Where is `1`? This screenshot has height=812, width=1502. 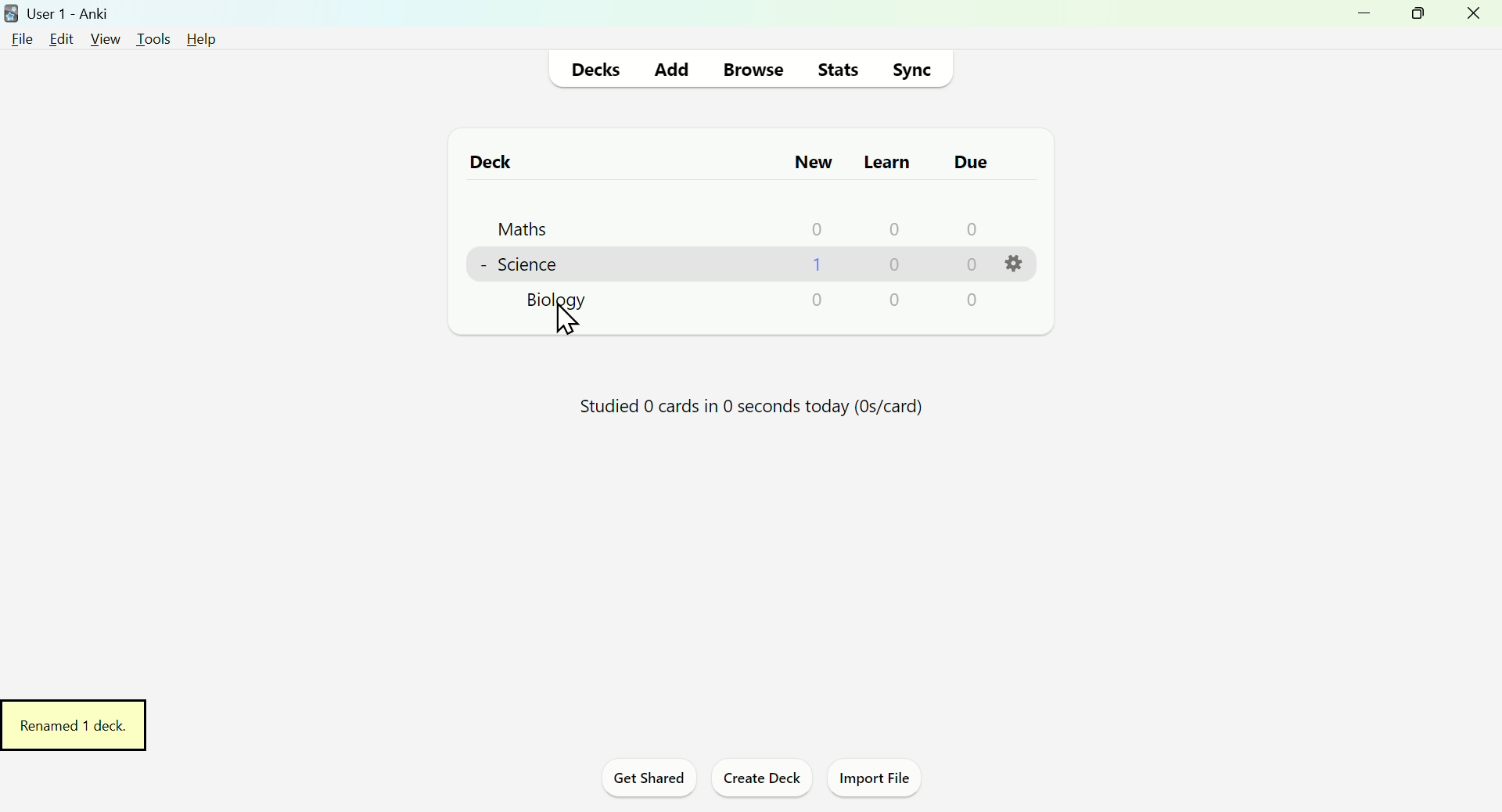 1 is located at coordinates (817, 264).